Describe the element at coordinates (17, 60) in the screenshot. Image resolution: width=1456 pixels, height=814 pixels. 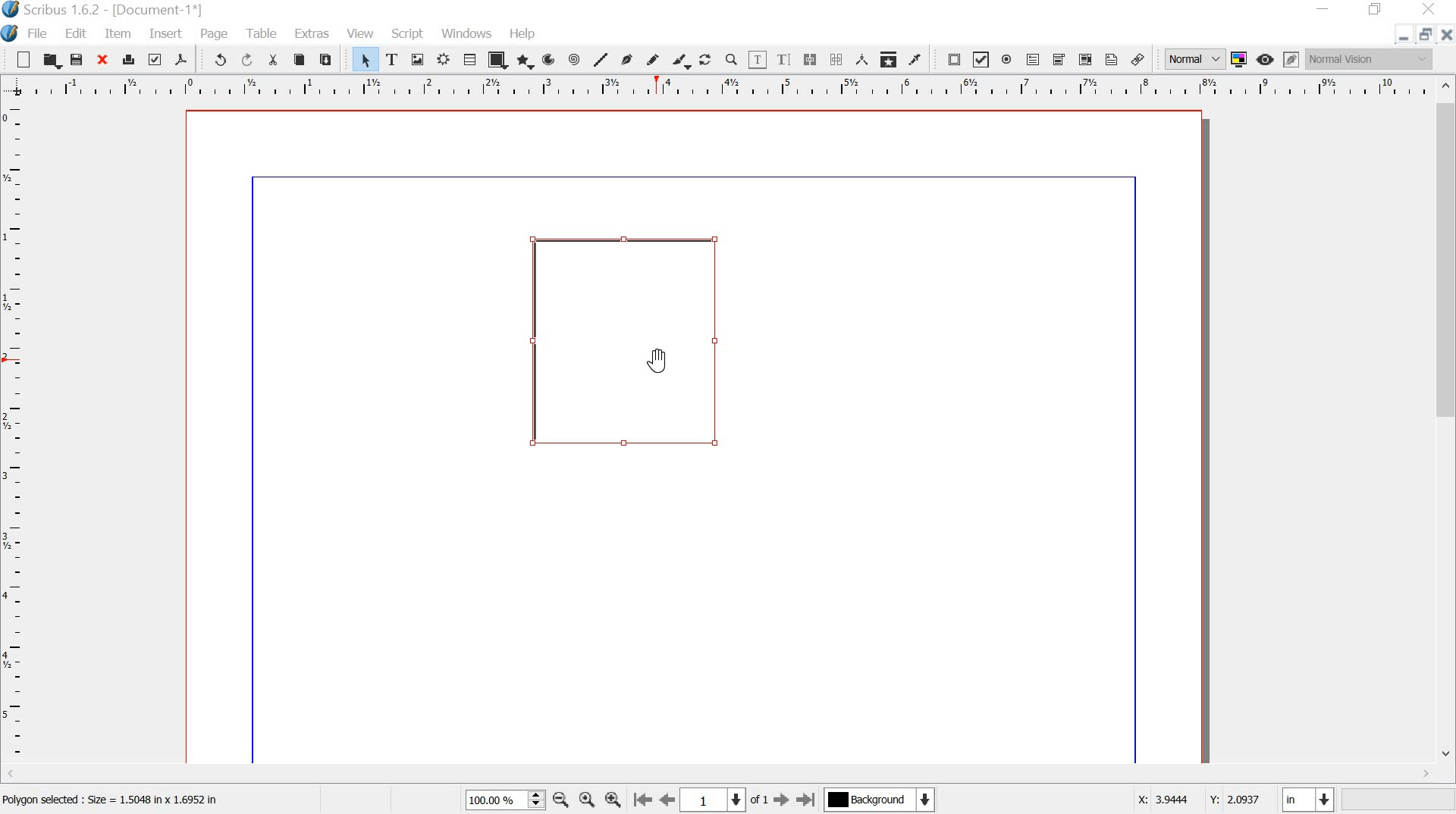
I see `new` at that location.